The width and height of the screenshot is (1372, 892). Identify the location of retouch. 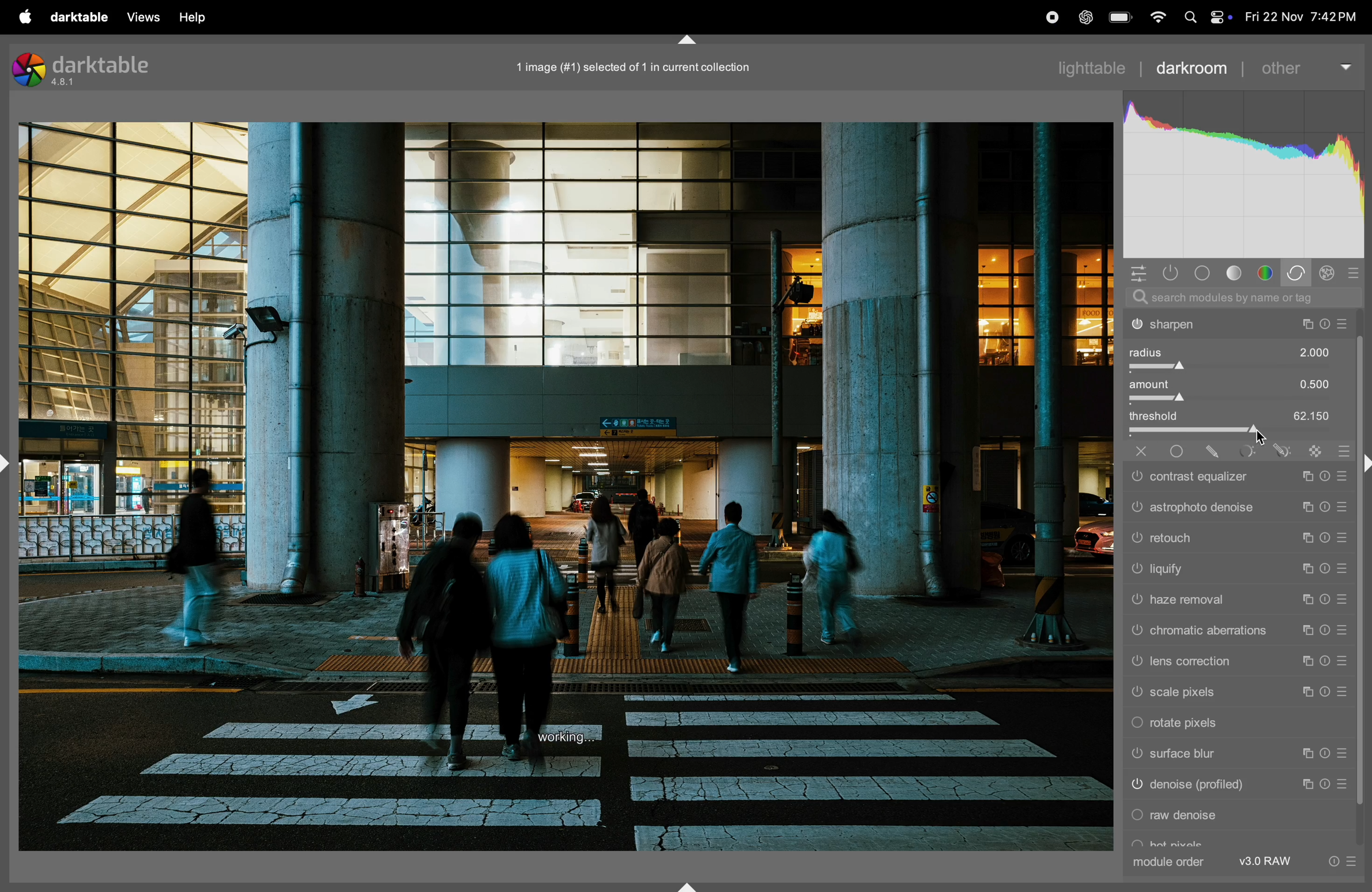
(1238, 538).